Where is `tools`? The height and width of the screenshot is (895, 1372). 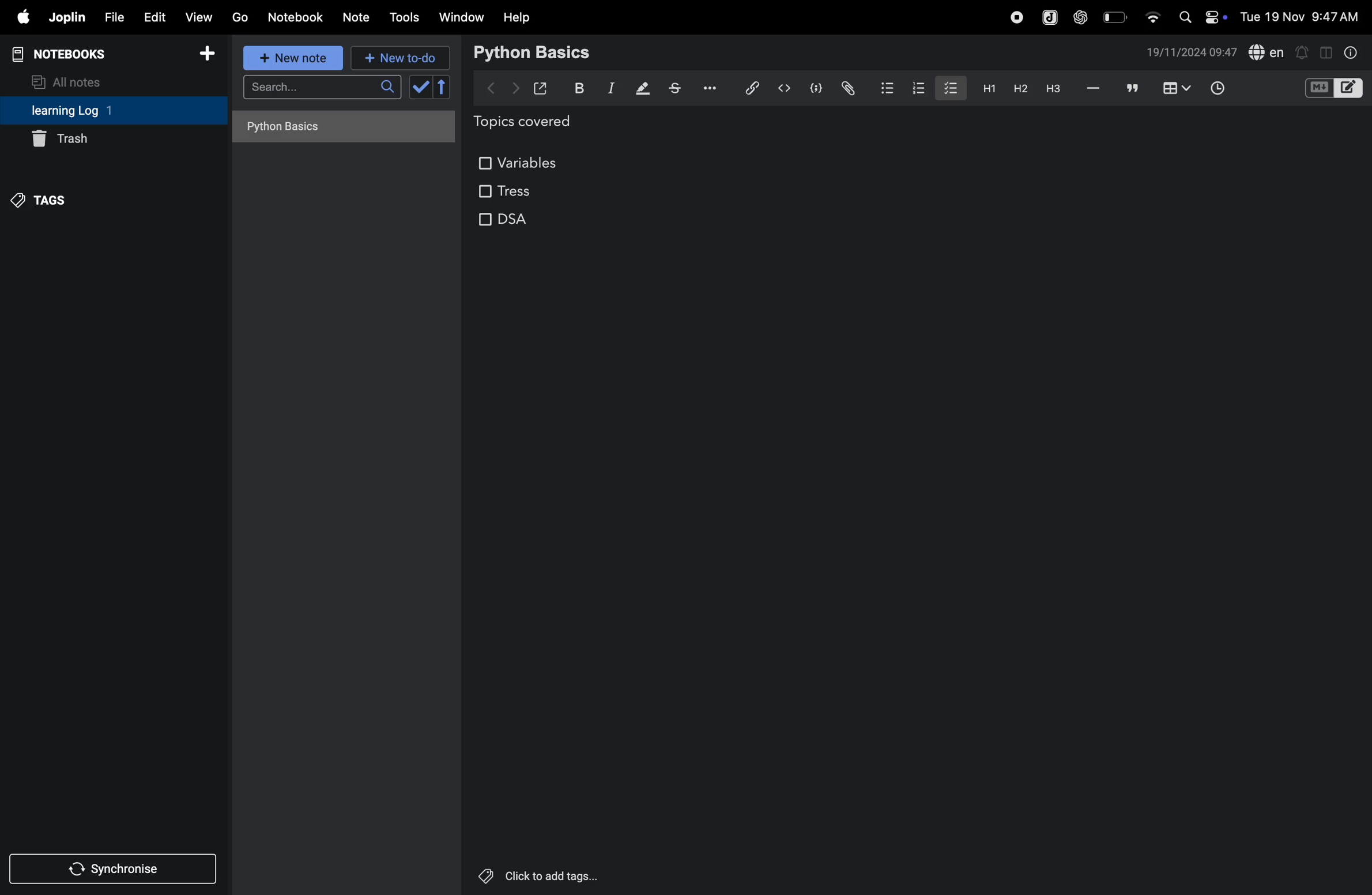
tools is located at coordinates (402, 17).